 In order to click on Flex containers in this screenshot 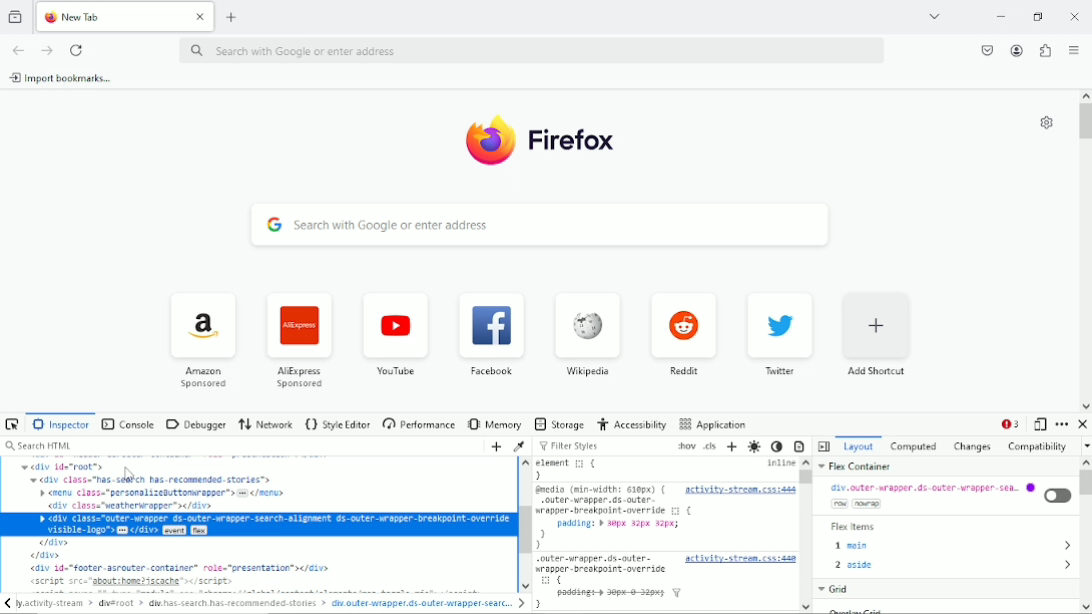, I will do `click(857, 468)`.